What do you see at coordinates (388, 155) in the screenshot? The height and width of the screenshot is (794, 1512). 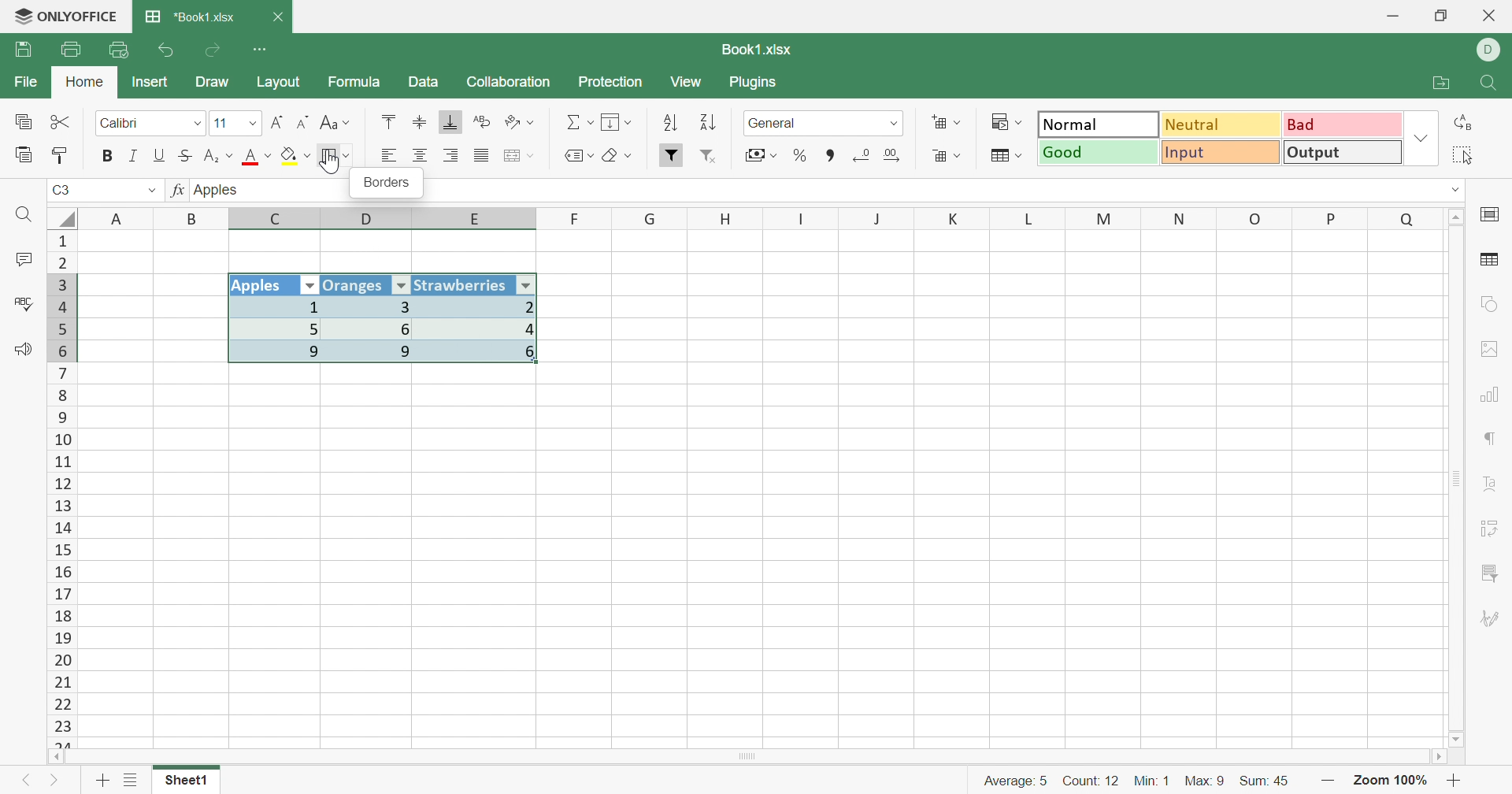 I see `Align Right` at bounding box center [388, 155].